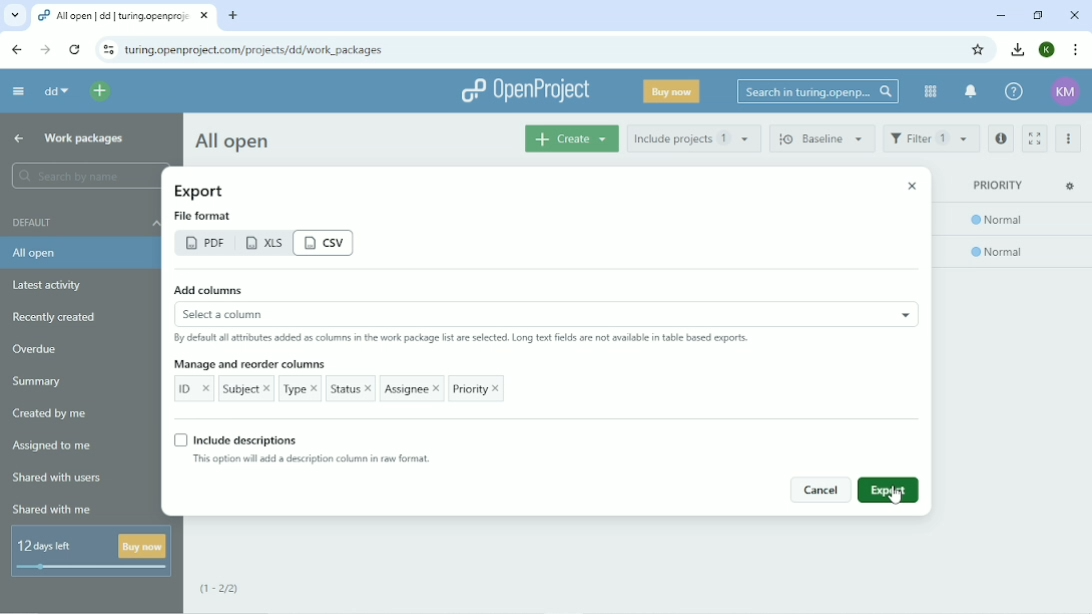 The width and height of the screenshot is (1092, 614). What do you see at coordinates (413, 388) in the screenshot?
I see `Assignee` at bounding box center [413, 388].